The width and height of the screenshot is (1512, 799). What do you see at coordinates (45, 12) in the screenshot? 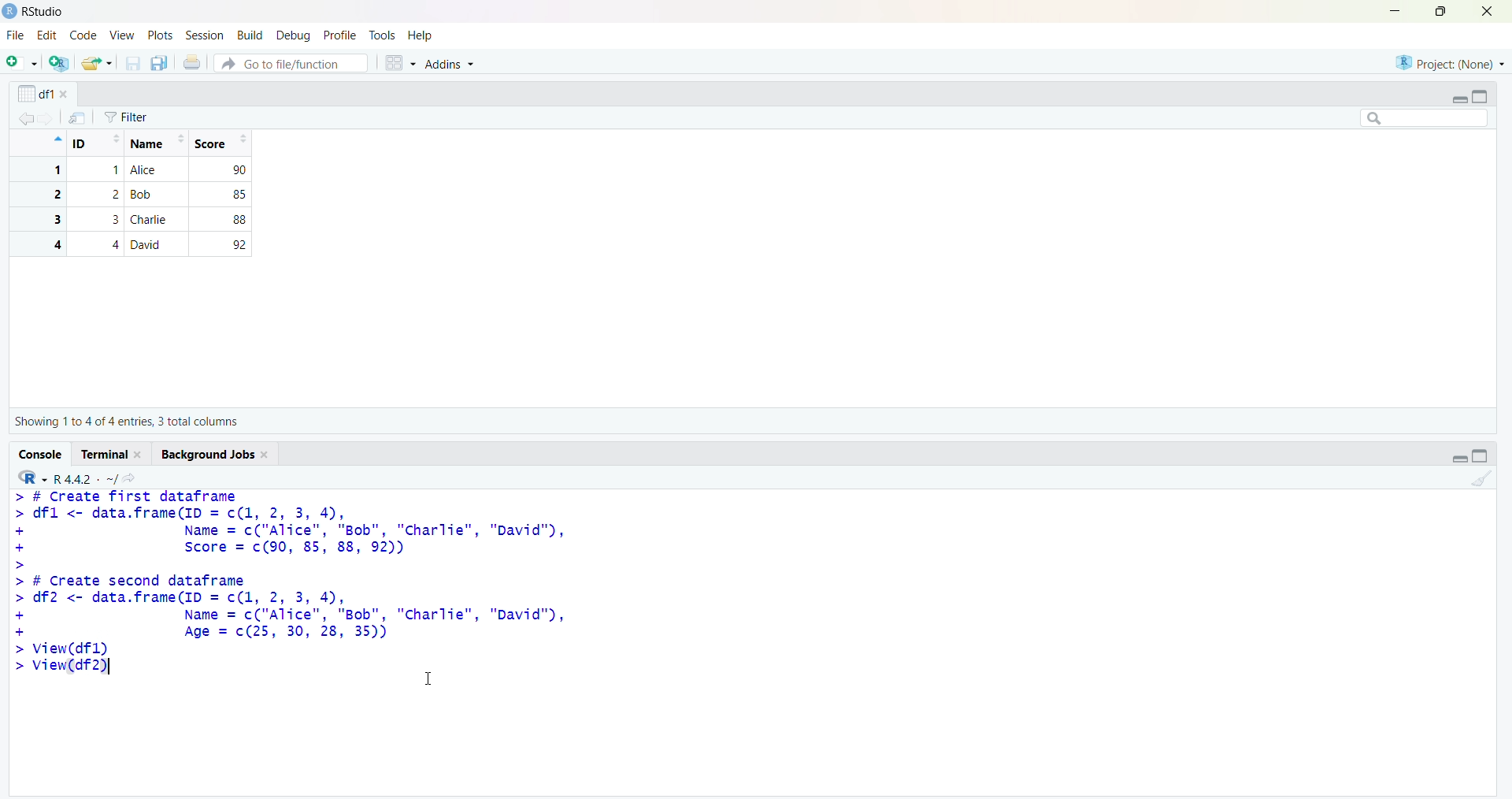
I see `RStudio` at bounding box center [45, 12].